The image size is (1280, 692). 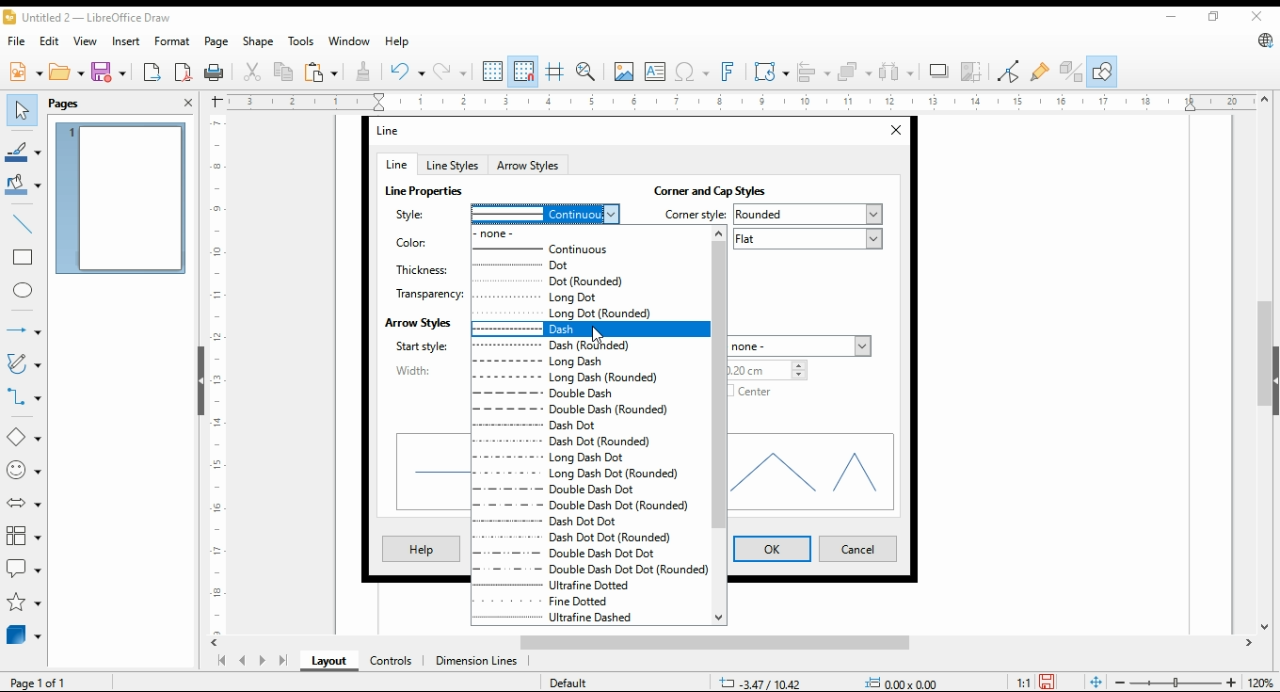 What do you see at coordinates (24, 224) in the screenshot?
I see `insert line` at bounding box center [24, 224].